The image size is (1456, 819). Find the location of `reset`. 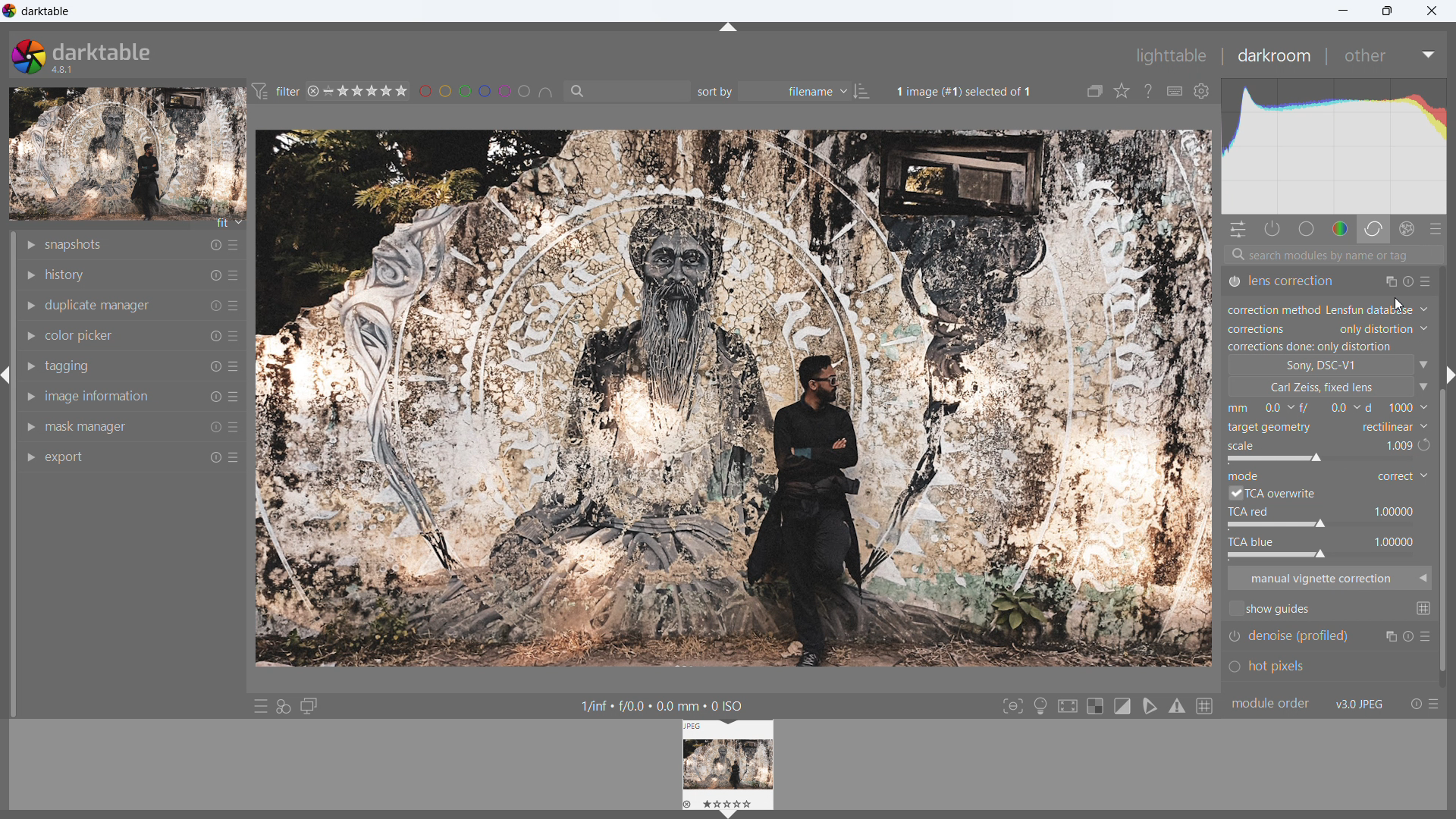

reset is located at coordinates (1416, 705).